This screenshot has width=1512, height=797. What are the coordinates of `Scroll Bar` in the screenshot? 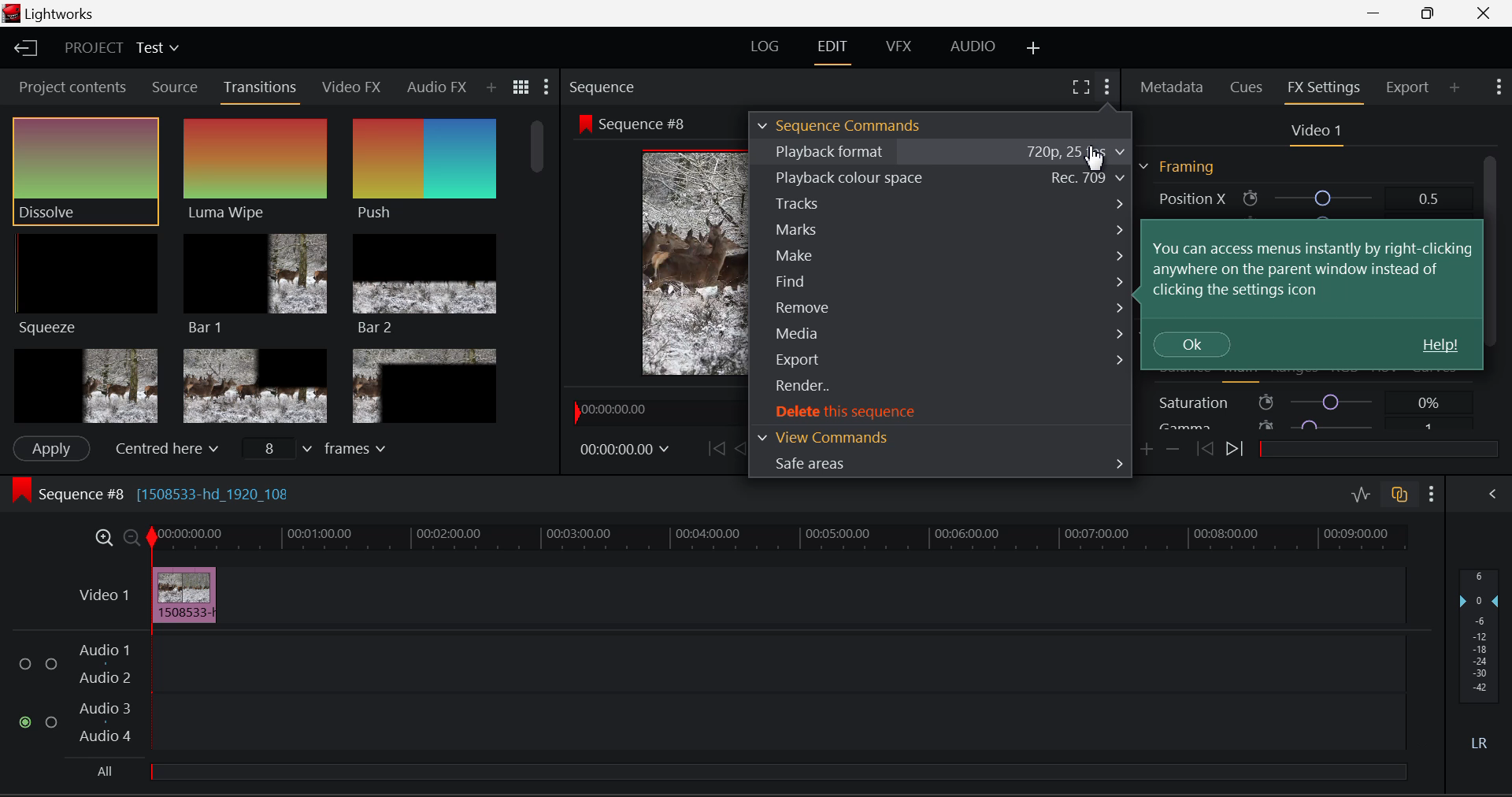 It's located at (540, 268).